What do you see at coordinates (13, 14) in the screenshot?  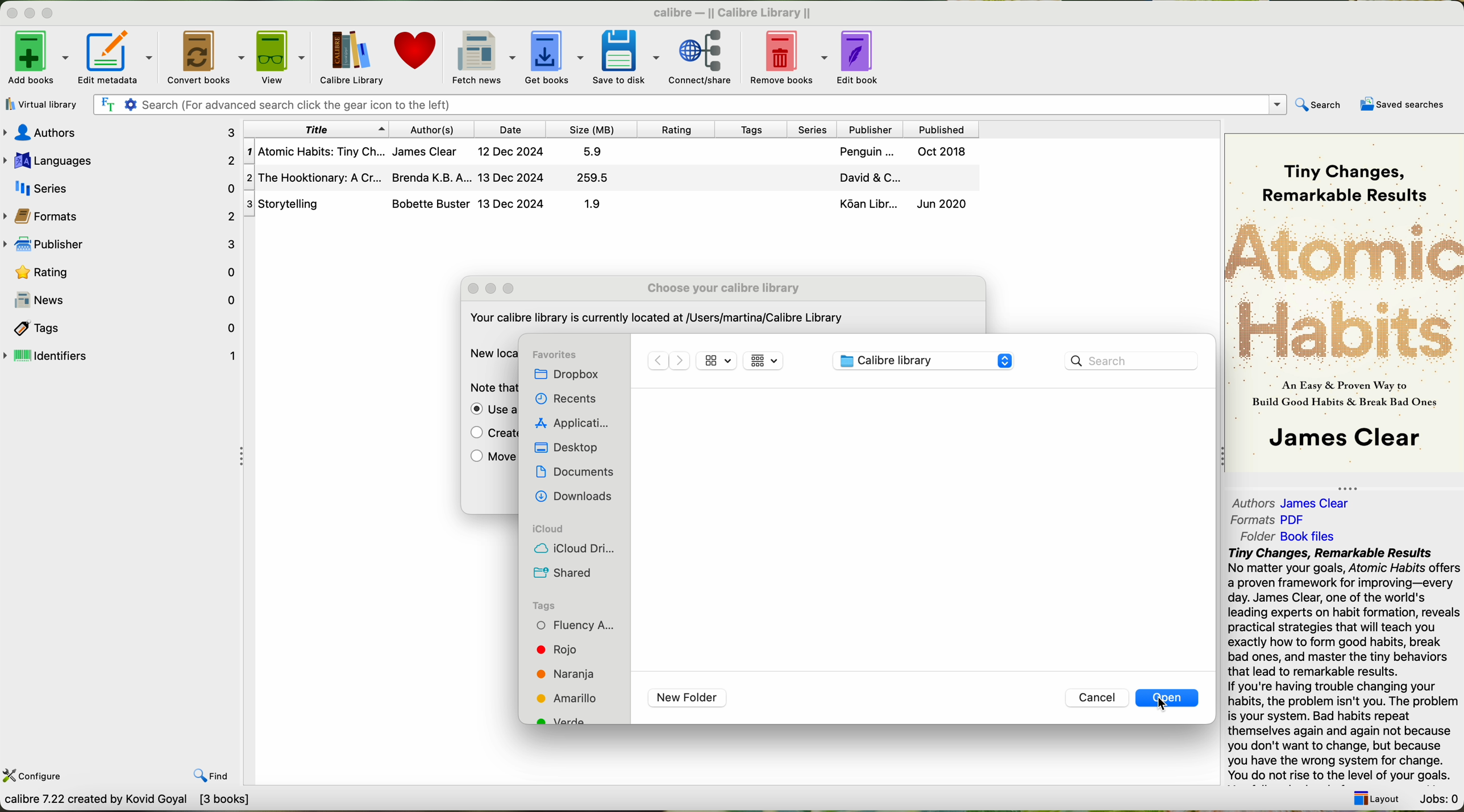 I see `Minimize` at bounding box center [13, 14].